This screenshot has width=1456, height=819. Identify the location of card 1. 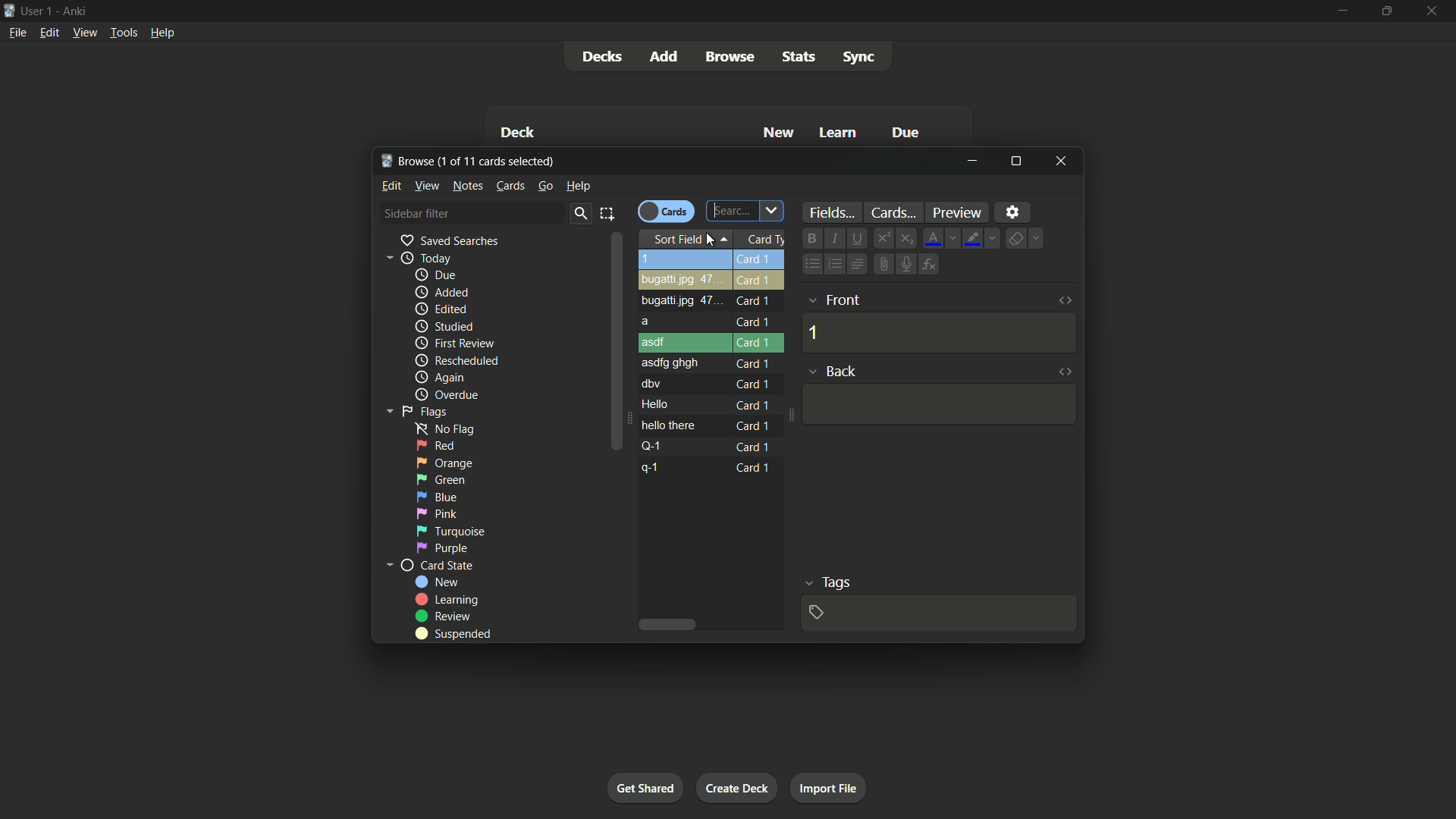
(752, 425).